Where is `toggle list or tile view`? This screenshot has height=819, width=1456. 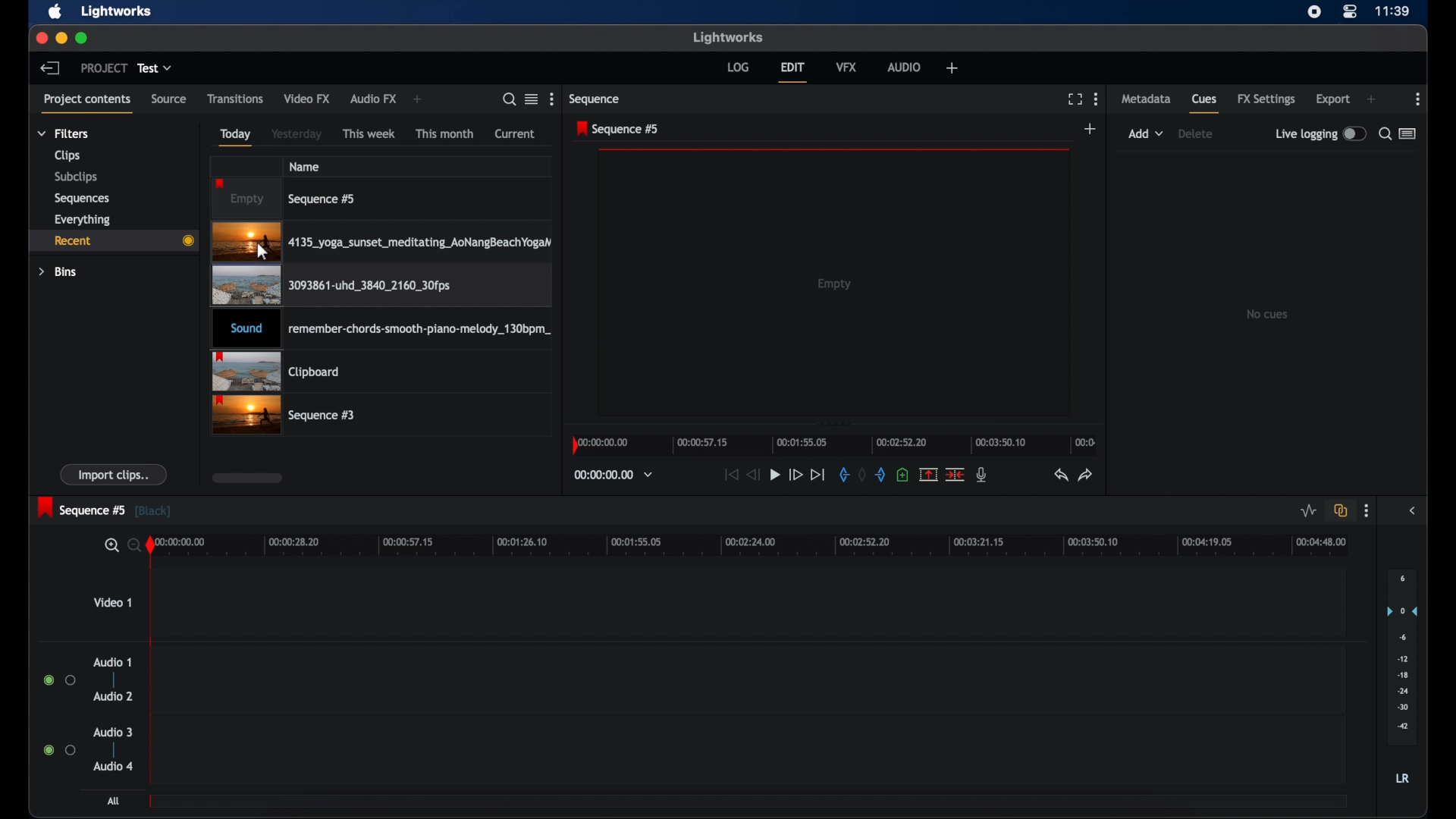
toggle list or tile view is located at coordinates (532, 99).